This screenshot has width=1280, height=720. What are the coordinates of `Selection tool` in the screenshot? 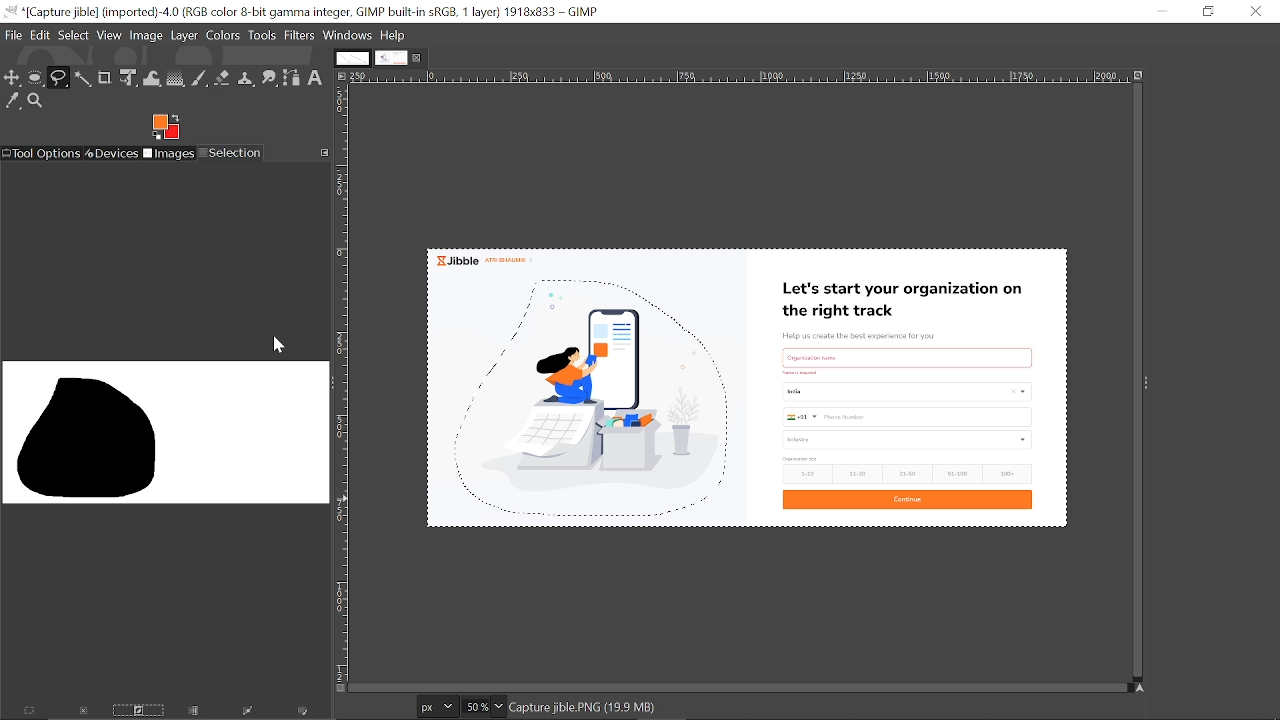 It's located at (230, 154).